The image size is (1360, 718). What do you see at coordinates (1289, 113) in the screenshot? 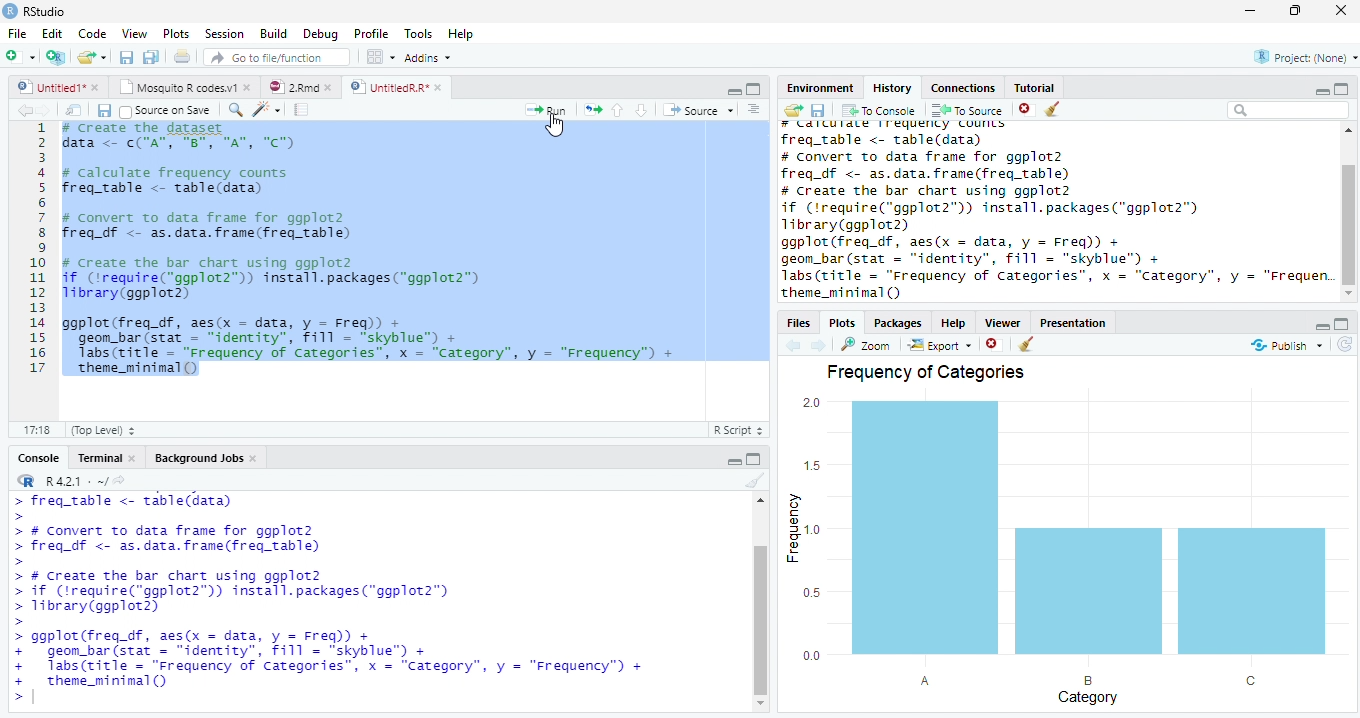
I see `Search` at bounding box center [1289, 113].